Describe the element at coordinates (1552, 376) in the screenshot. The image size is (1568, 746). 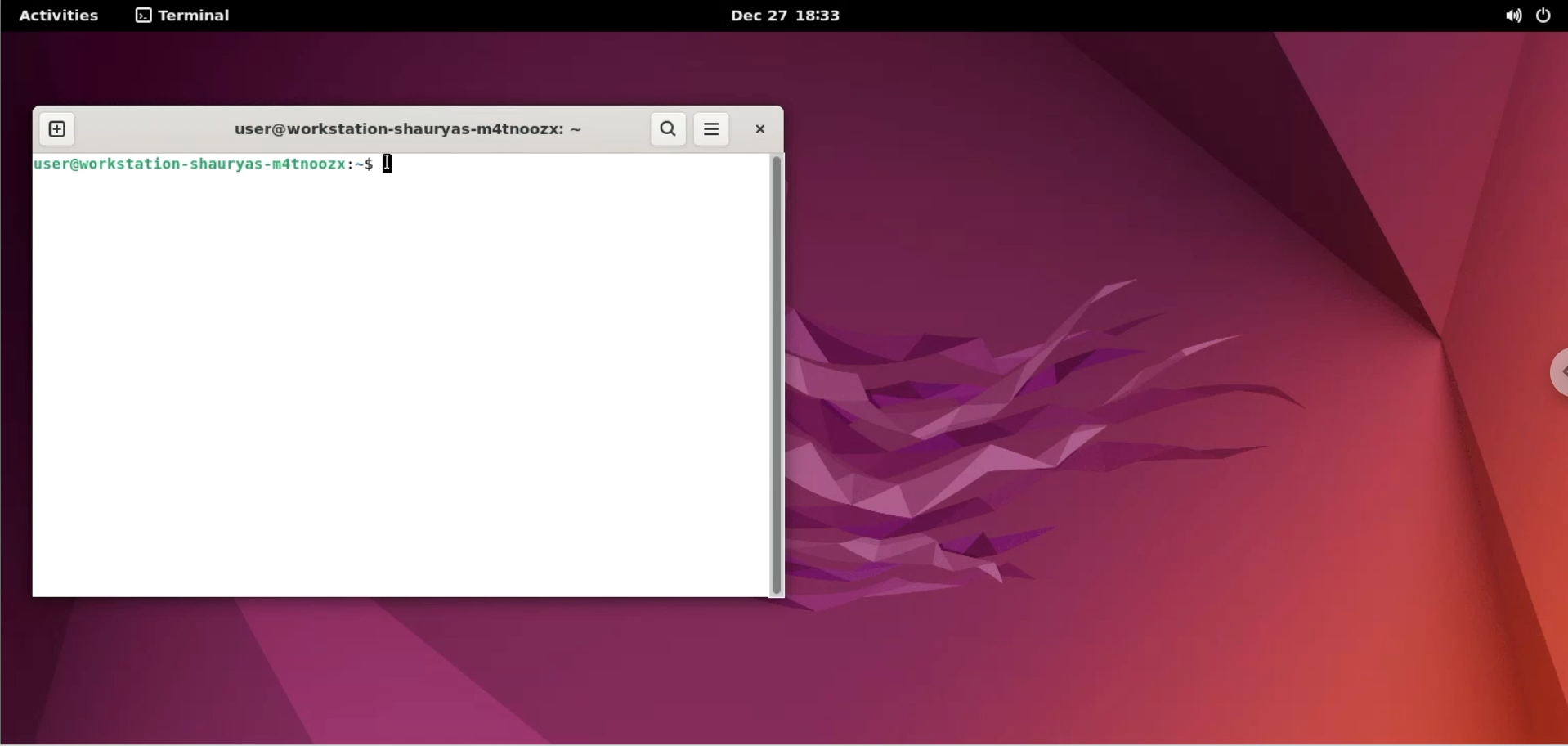
I see `chrome options` at that location.